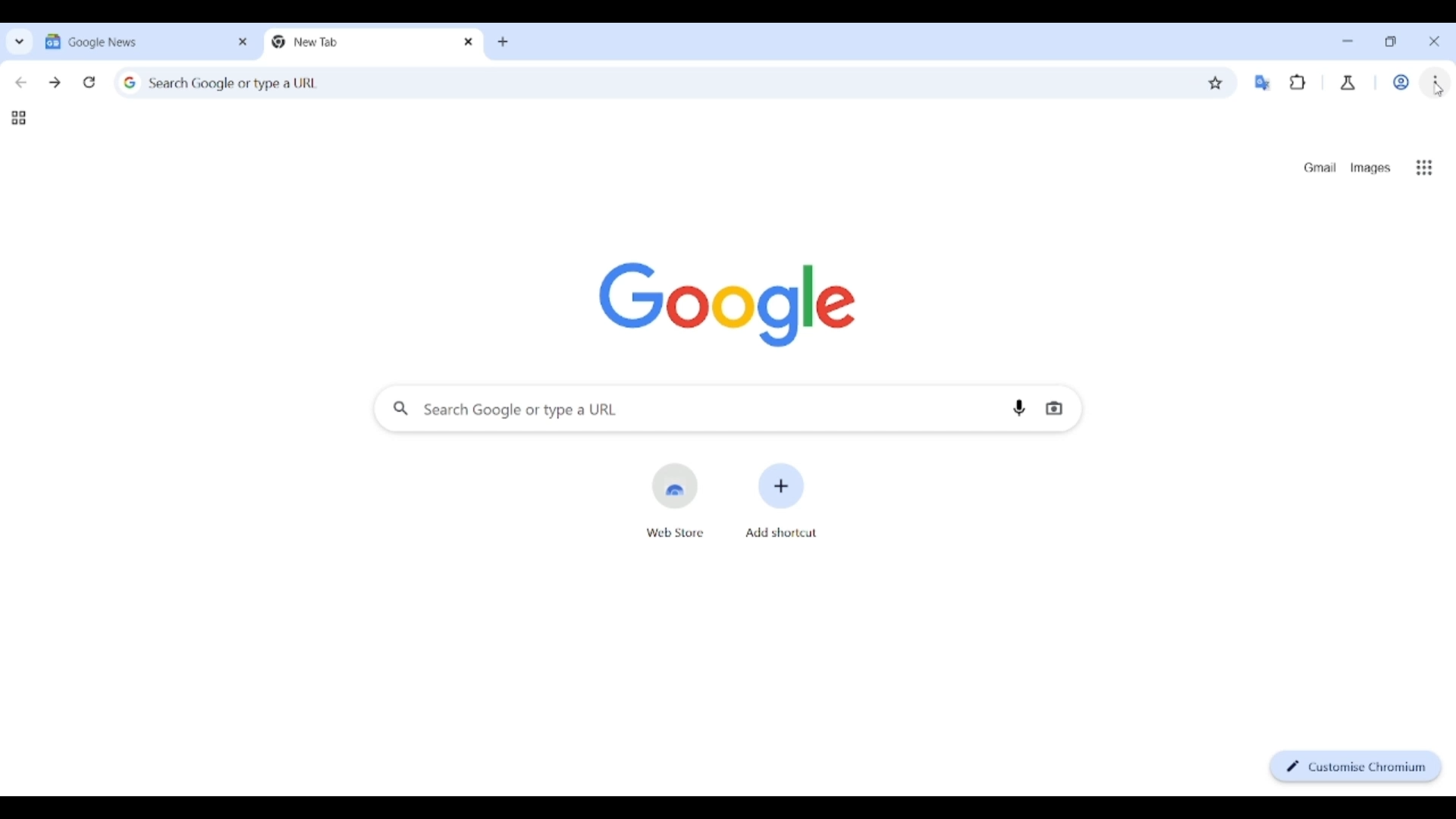  What do you see at coordinates (1054, 409) in the screenshot?
I see `Search by image` at bounding box center [1054, 409].